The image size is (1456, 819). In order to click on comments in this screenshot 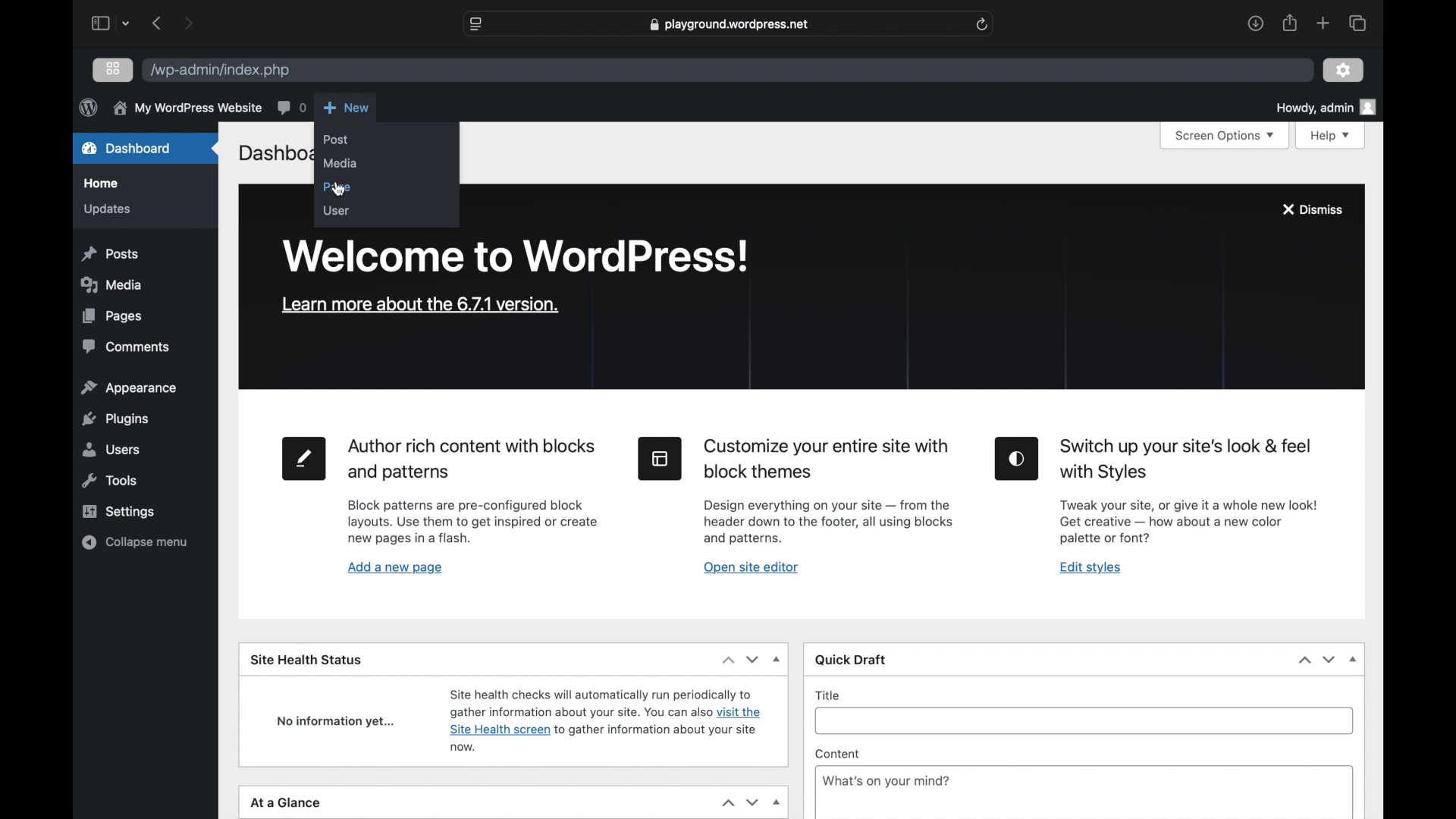, I will do `click(291, 108)`.